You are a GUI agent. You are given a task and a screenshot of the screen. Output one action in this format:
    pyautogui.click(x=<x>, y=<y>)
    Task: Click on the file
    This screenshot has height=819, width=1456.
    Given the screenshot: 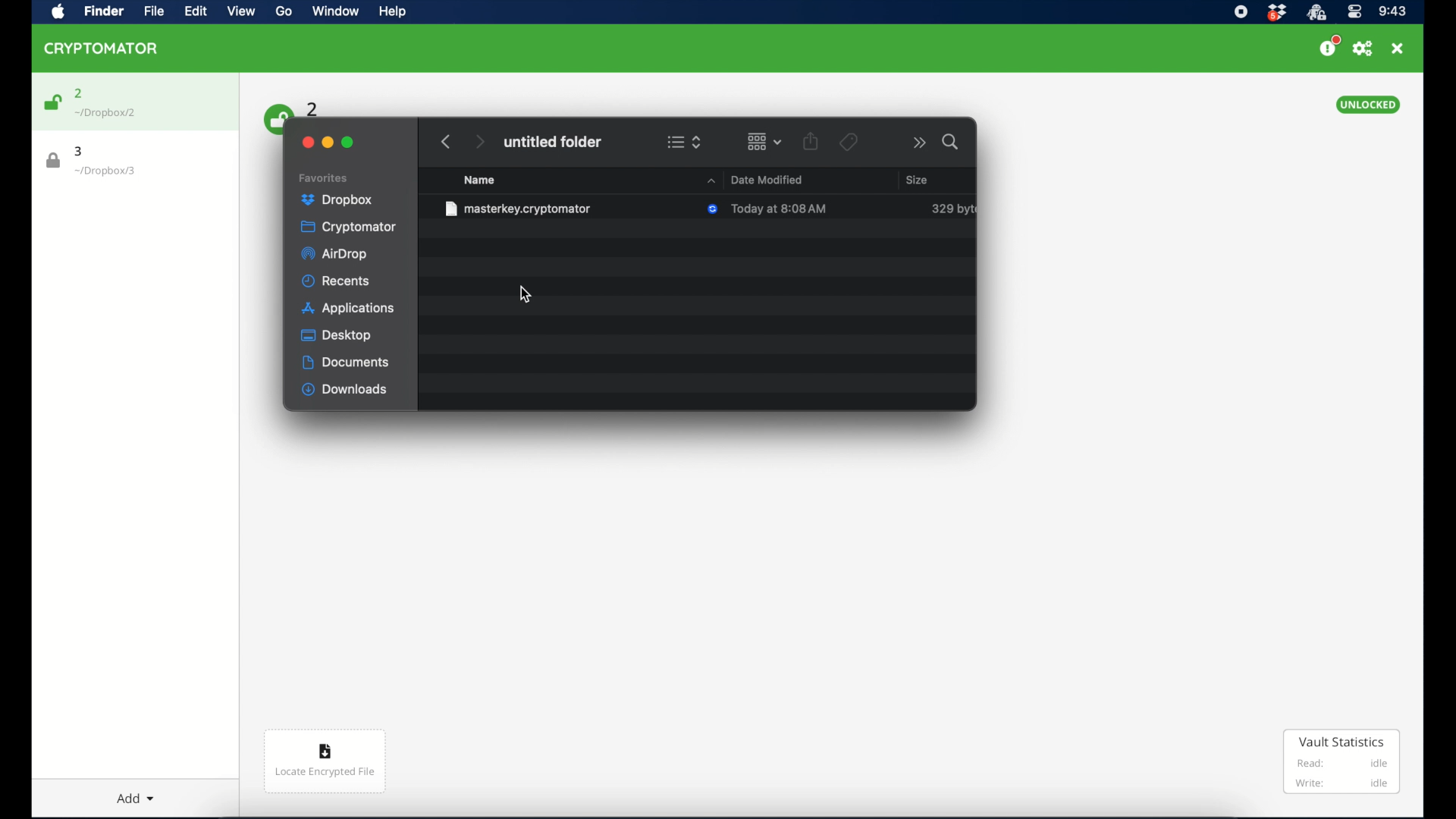 What is the action you would take?
    pyautogui.click(x=150, y=11)
    